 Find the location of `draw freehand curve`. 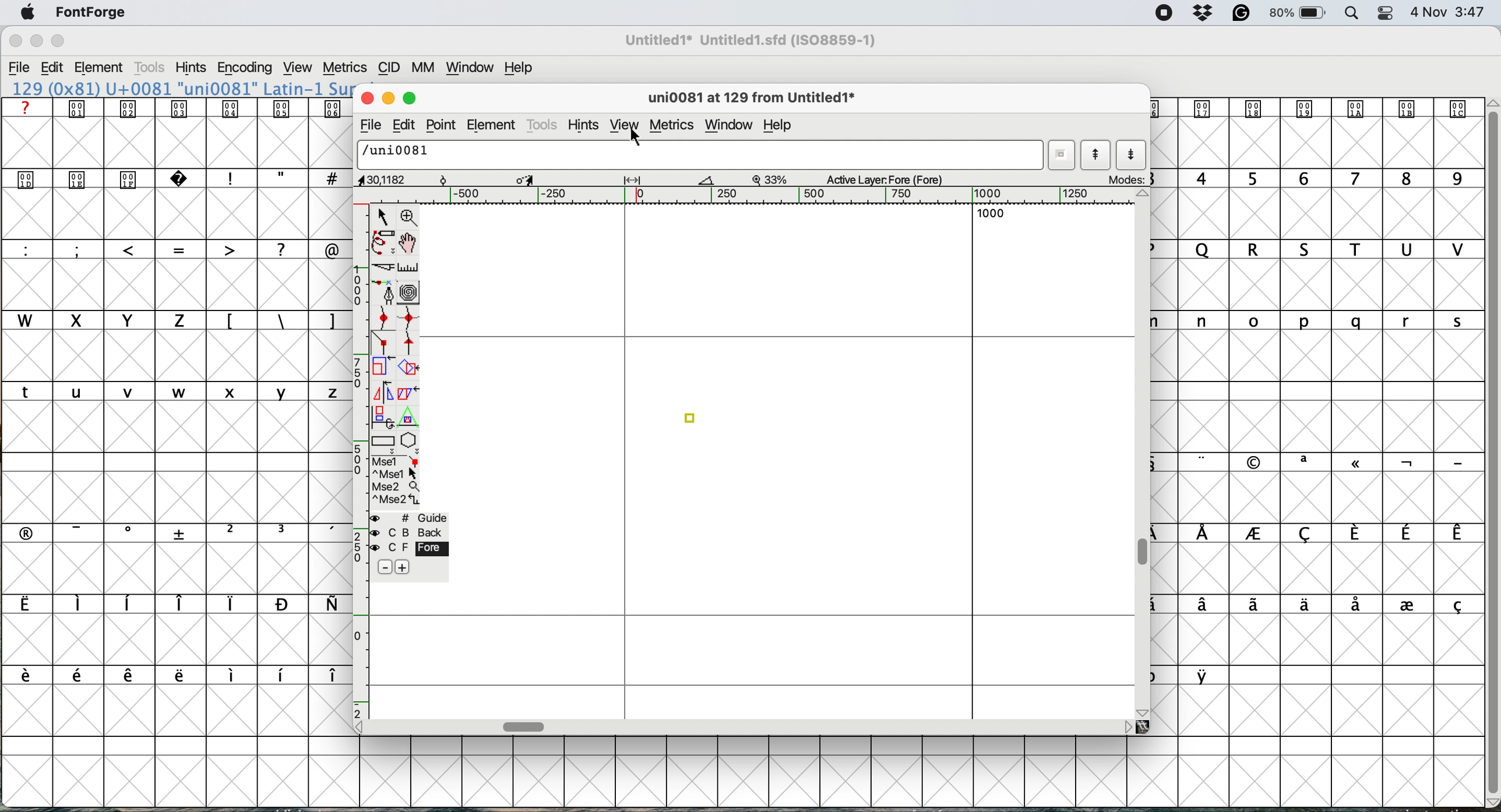

draw freehand curve is located at coordinates (383, 242).